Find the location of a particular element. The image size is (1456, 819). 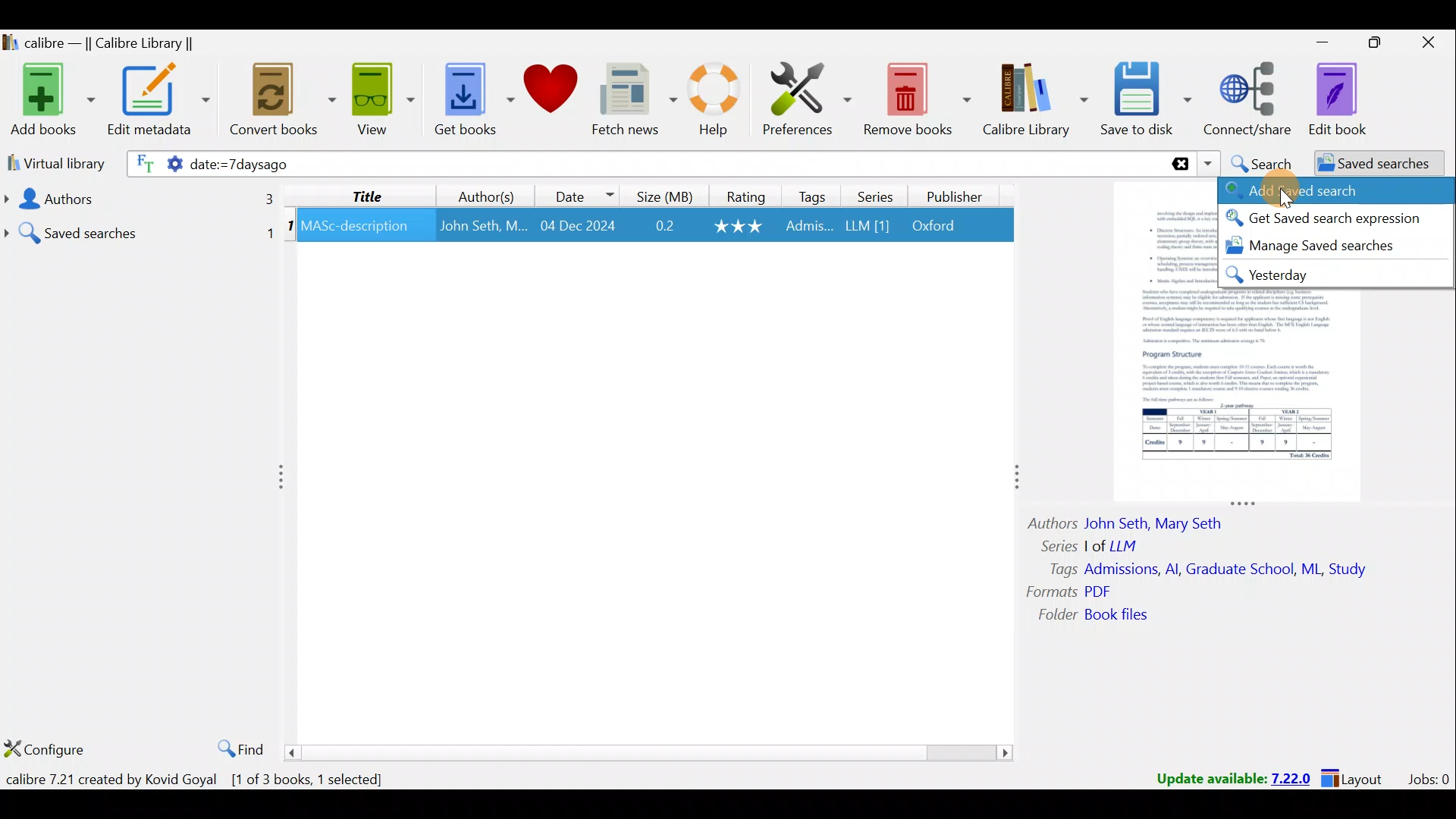

Authors is located at coordinates (137, 199).